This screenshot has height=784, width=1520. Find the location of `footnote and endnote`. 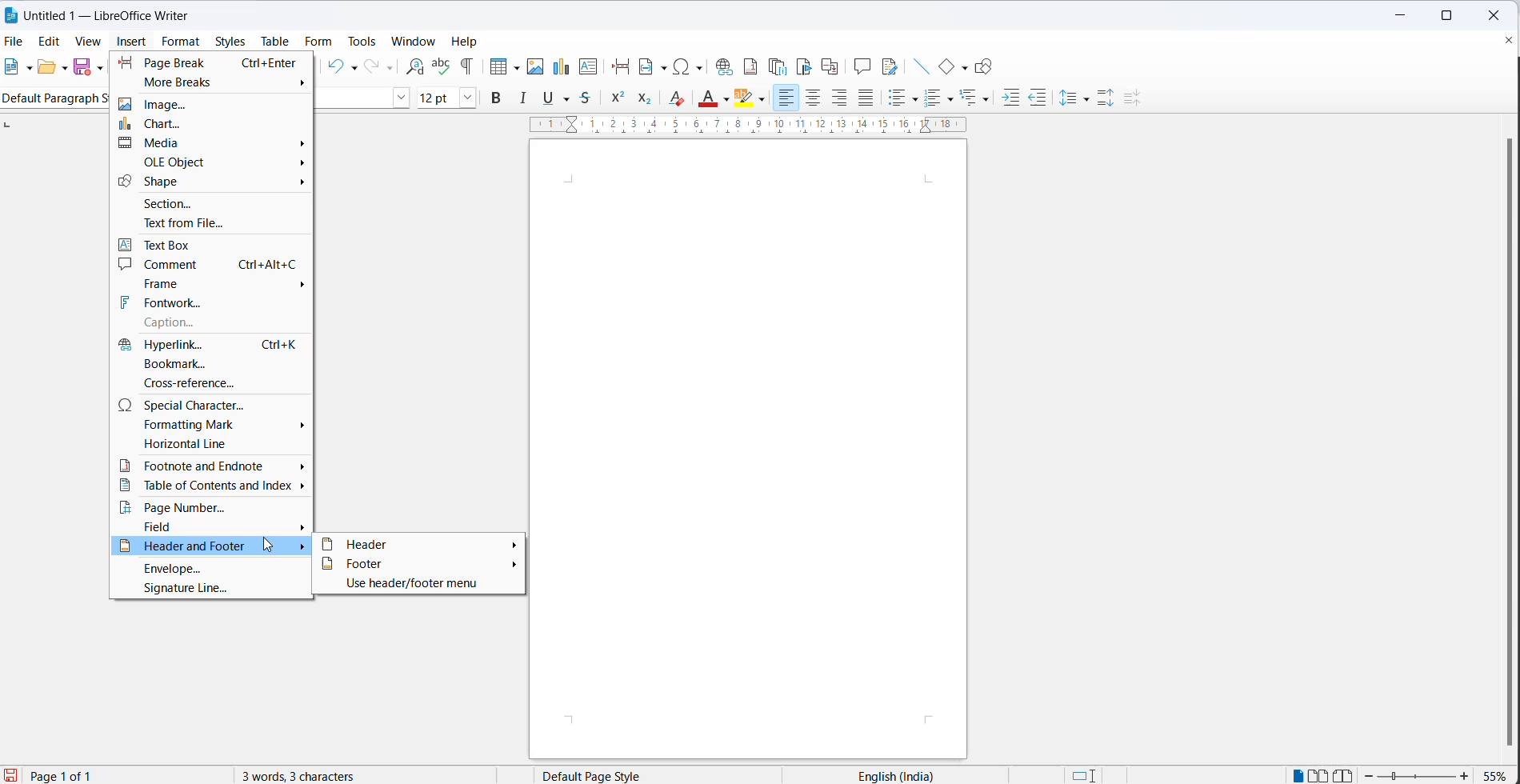

footnote and endnote is located at coordinates (214, 466).